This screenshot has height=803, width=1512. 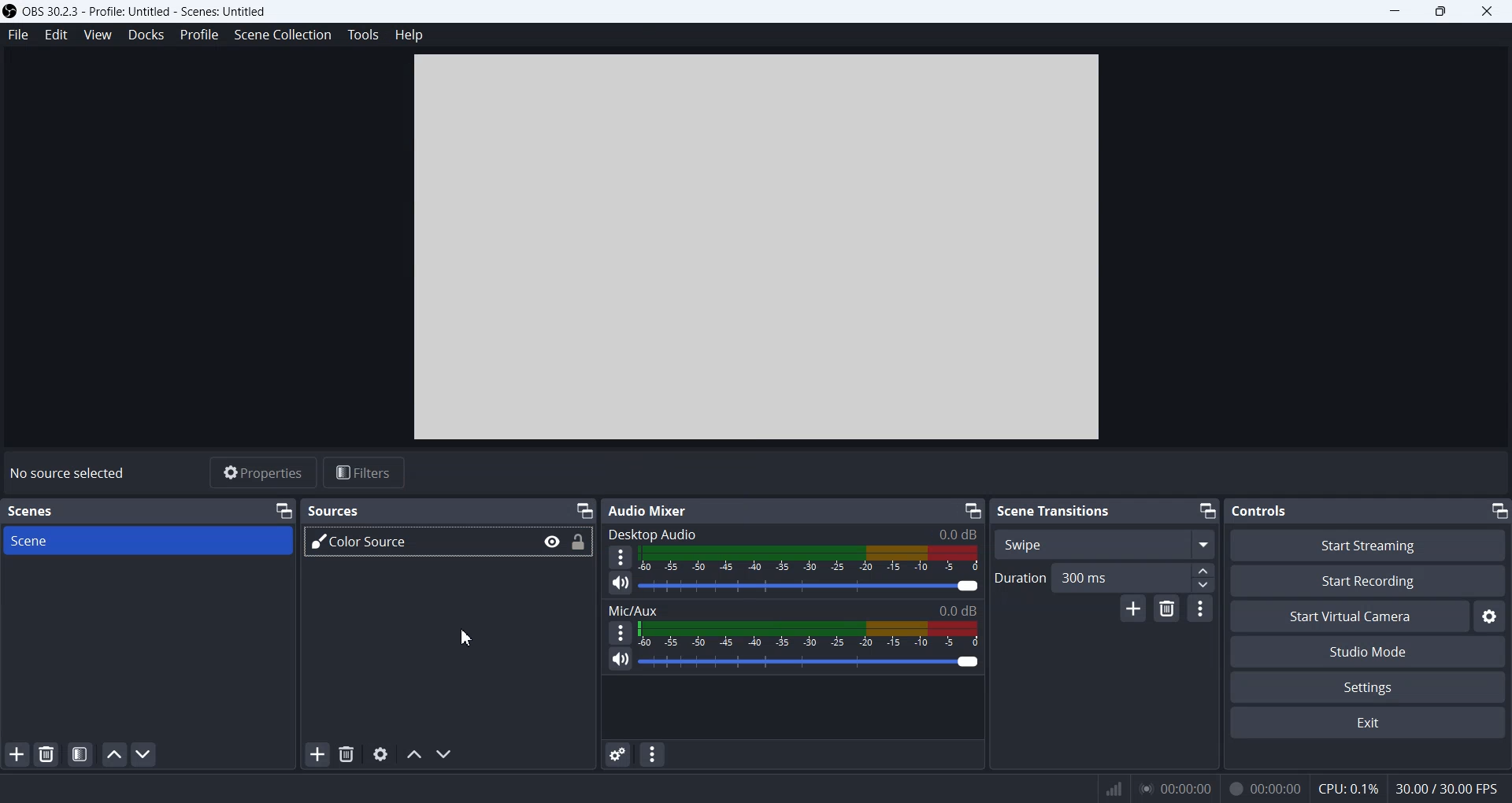 What do you see at coordinates (142, 10) in the screenshot?
I see `) OBS 30.2.3 - Profile: Untitled - Scenes: Untitled` at bounding box center [142, 10].